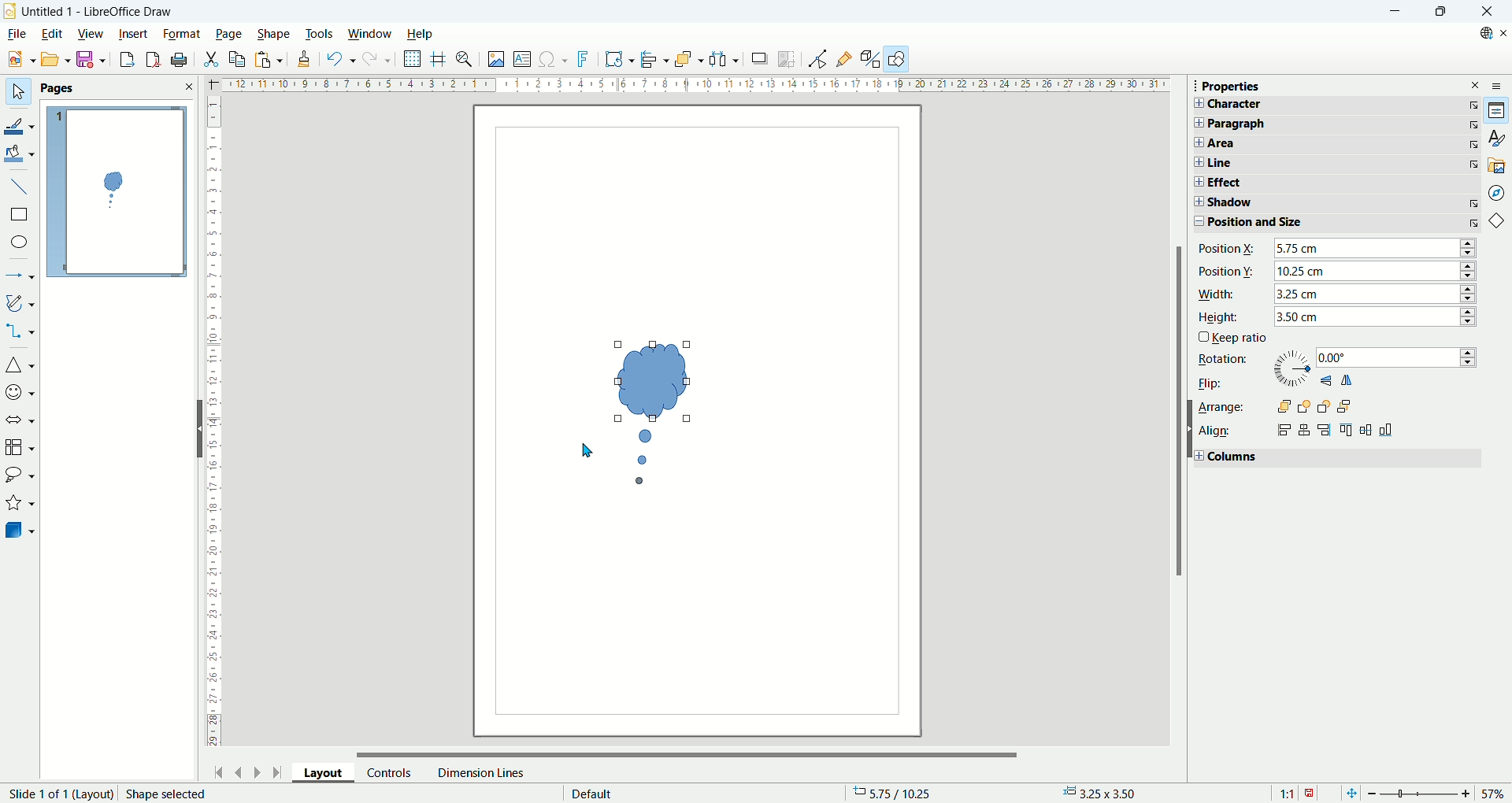 This screenshot has width=1512, height=803. Describe the element at coordinates (378, 62) in the screenshot. I see `redo` at that location.